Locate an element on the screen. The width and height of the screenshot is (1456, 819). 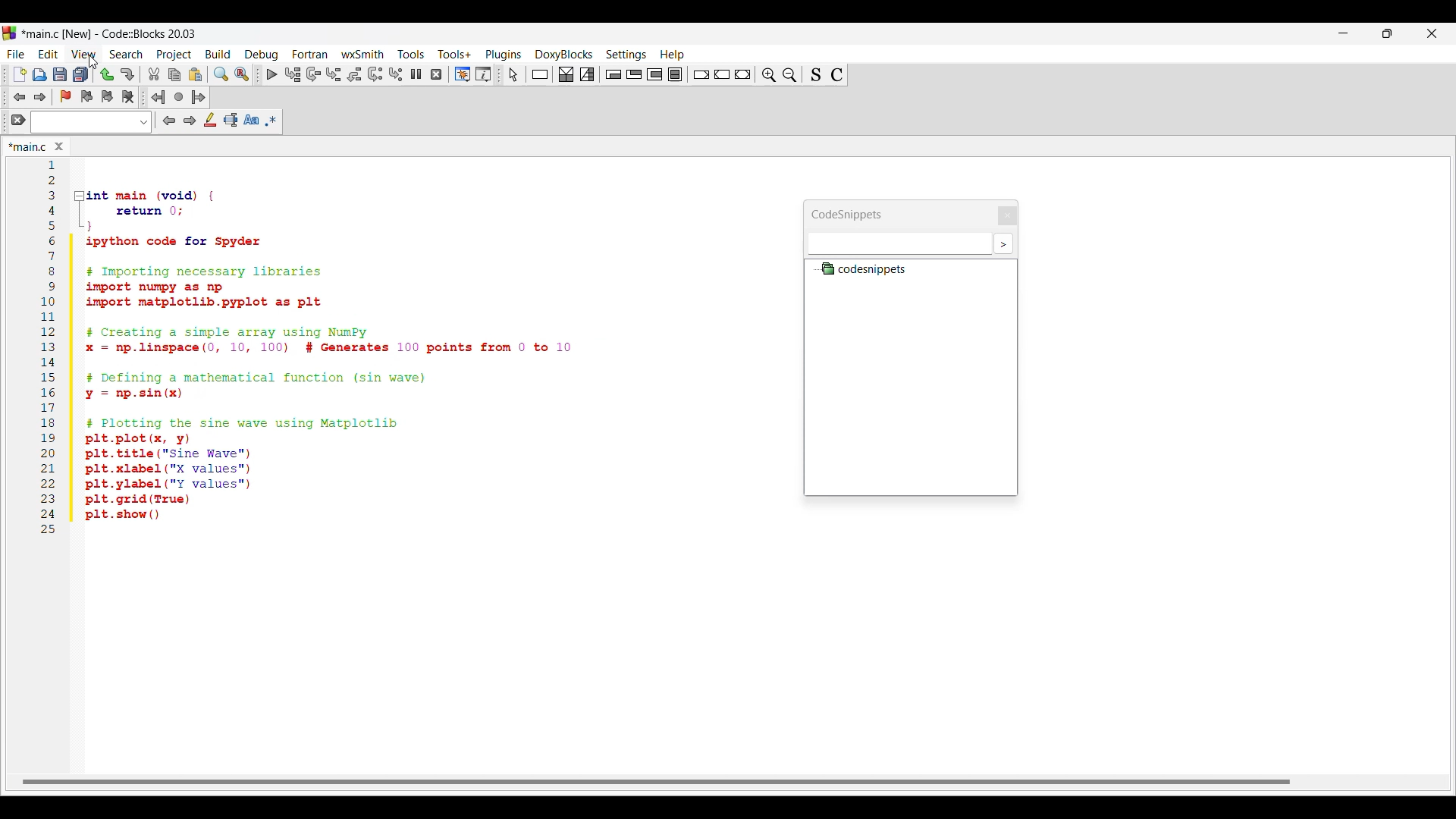
Toggle source is located at coordinates (815, 74).